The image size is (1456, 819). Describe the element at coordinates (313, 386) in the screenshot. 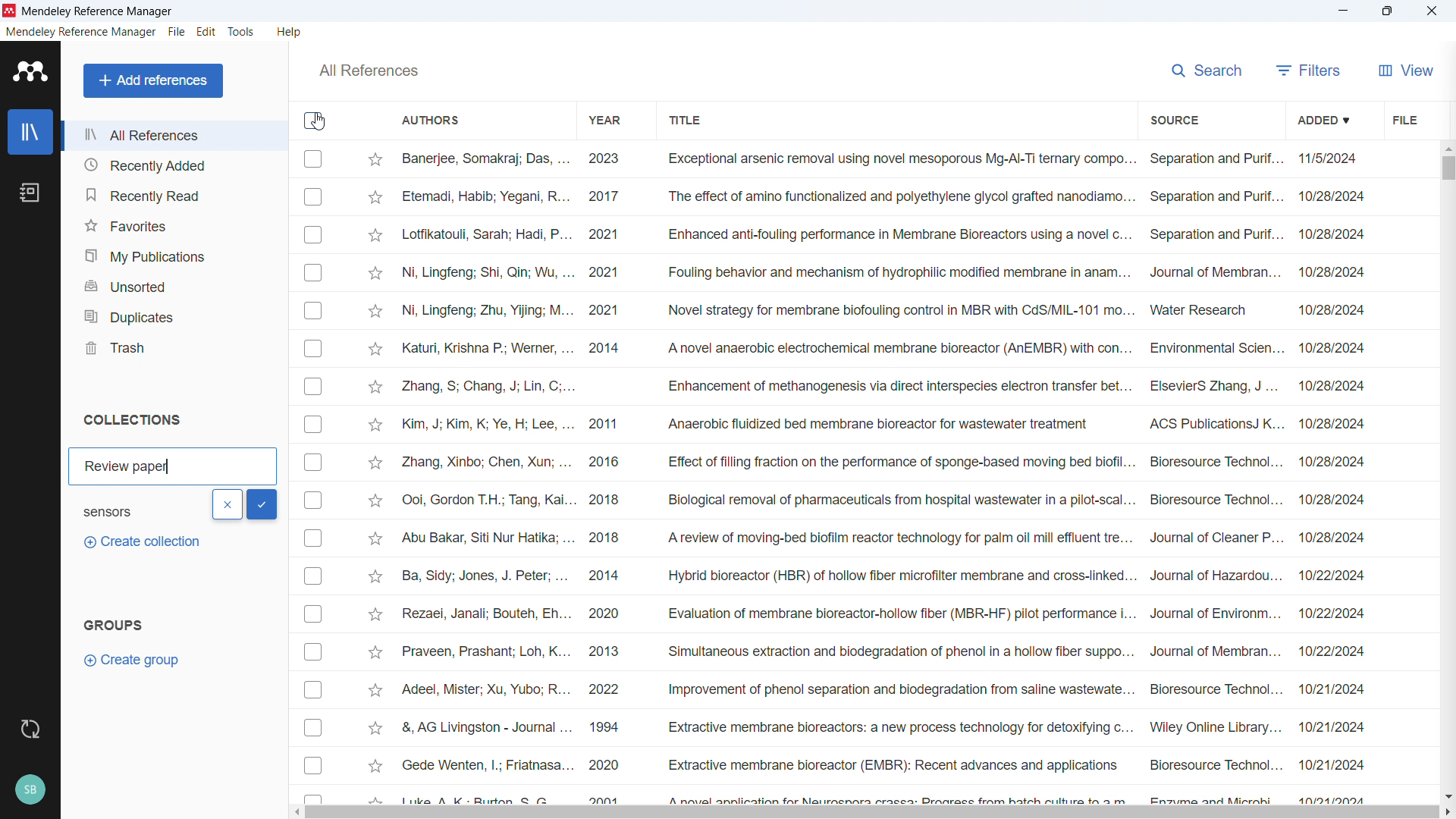

I see `Select respective publication` at that location.